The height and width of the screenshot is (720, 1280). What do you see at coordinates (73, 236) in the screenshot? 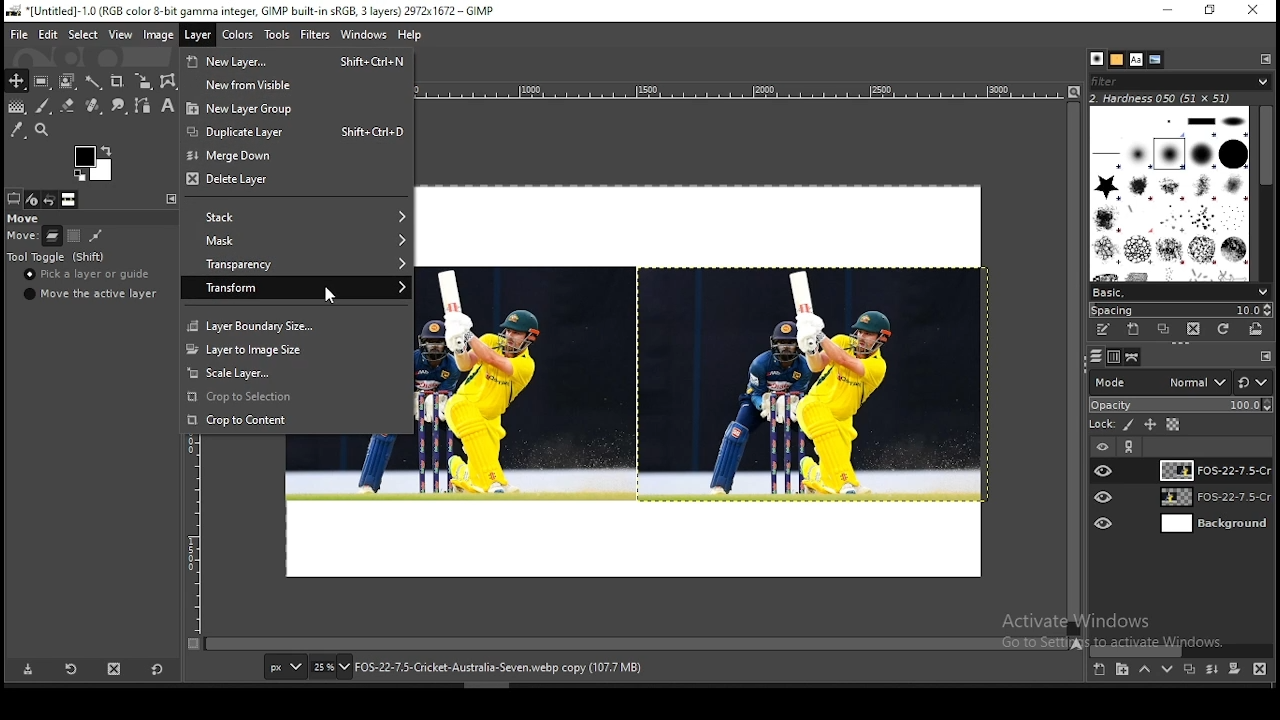
I see `move channels` at bounding box center [73, 236].